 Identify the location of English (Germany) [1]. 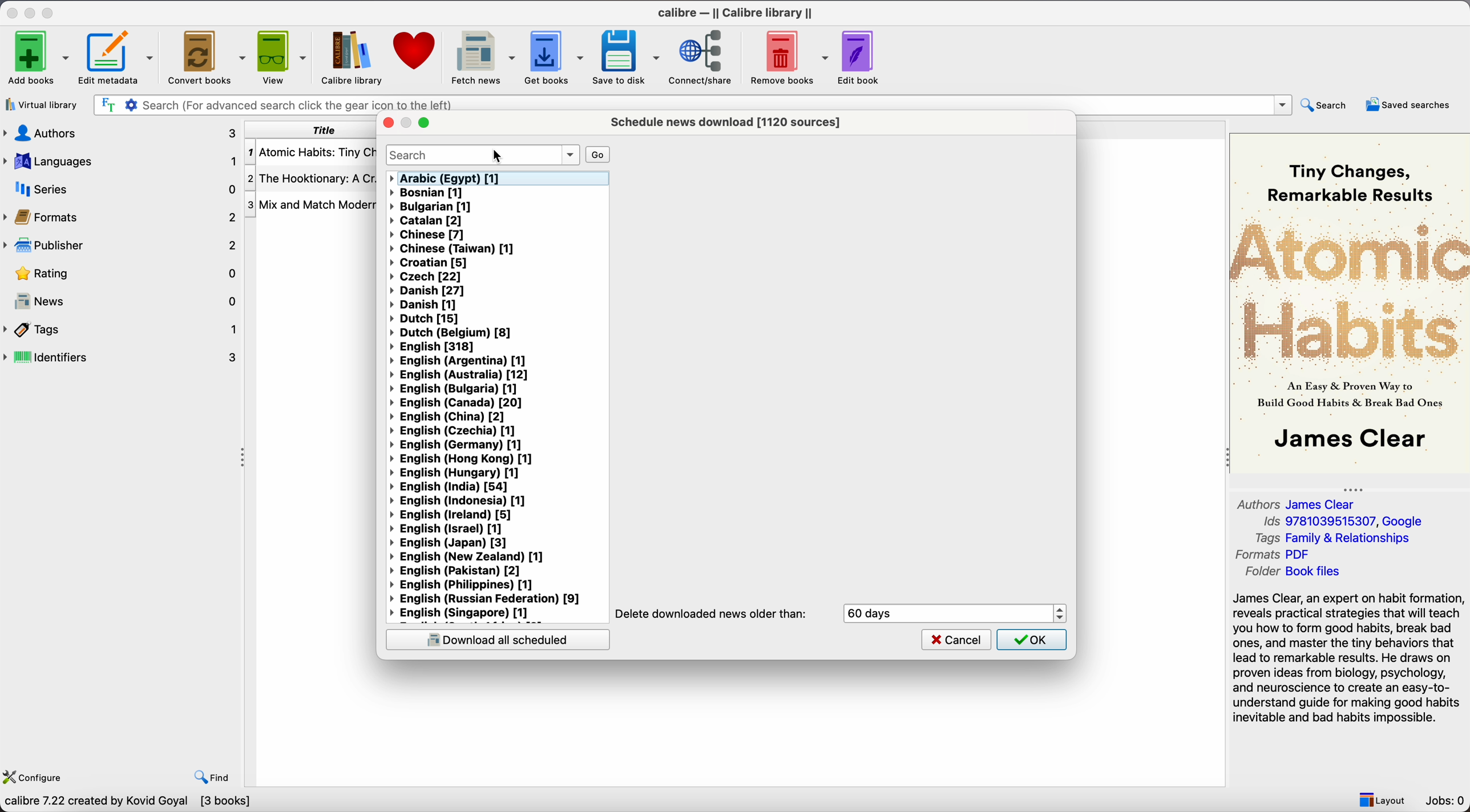
(458, 446).